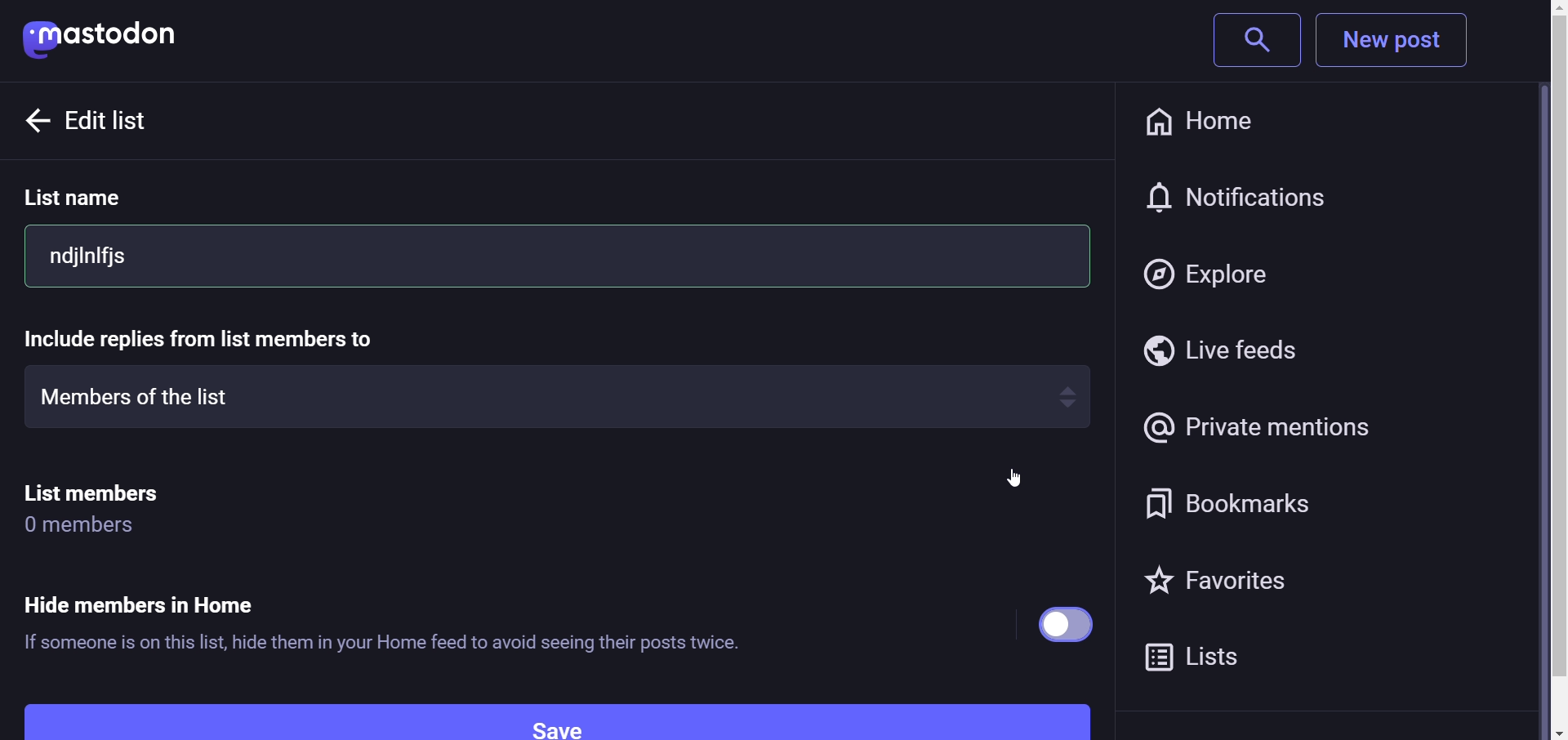 The image size is (1568, 740). What do you see at coordinates (550, 395) in the screenshot?
I see `members of the list` at bounding box center [550, 395].